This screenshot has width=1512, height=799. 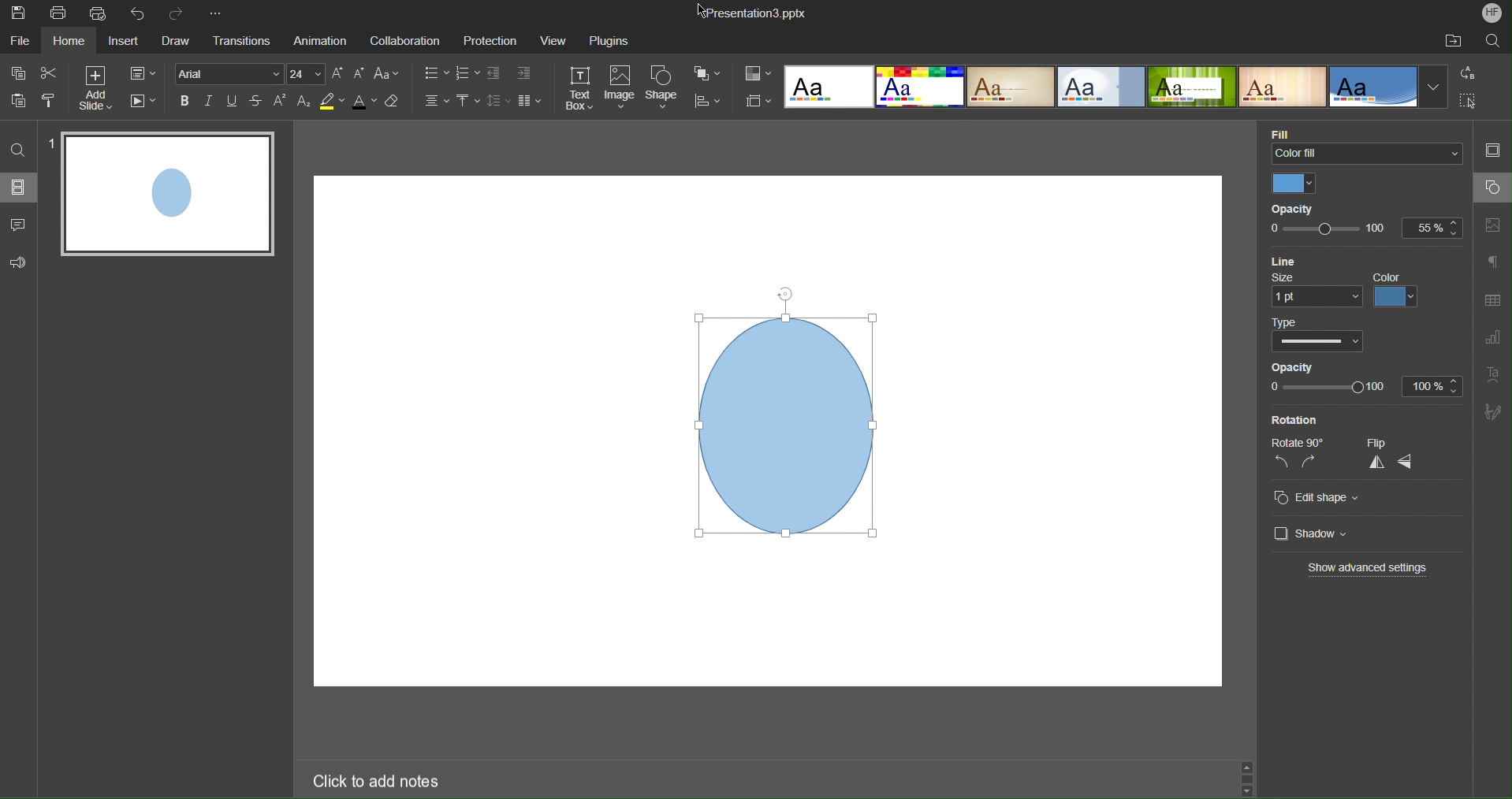 I want to click on Flip Horizontal, so click(x=1406, y=463).